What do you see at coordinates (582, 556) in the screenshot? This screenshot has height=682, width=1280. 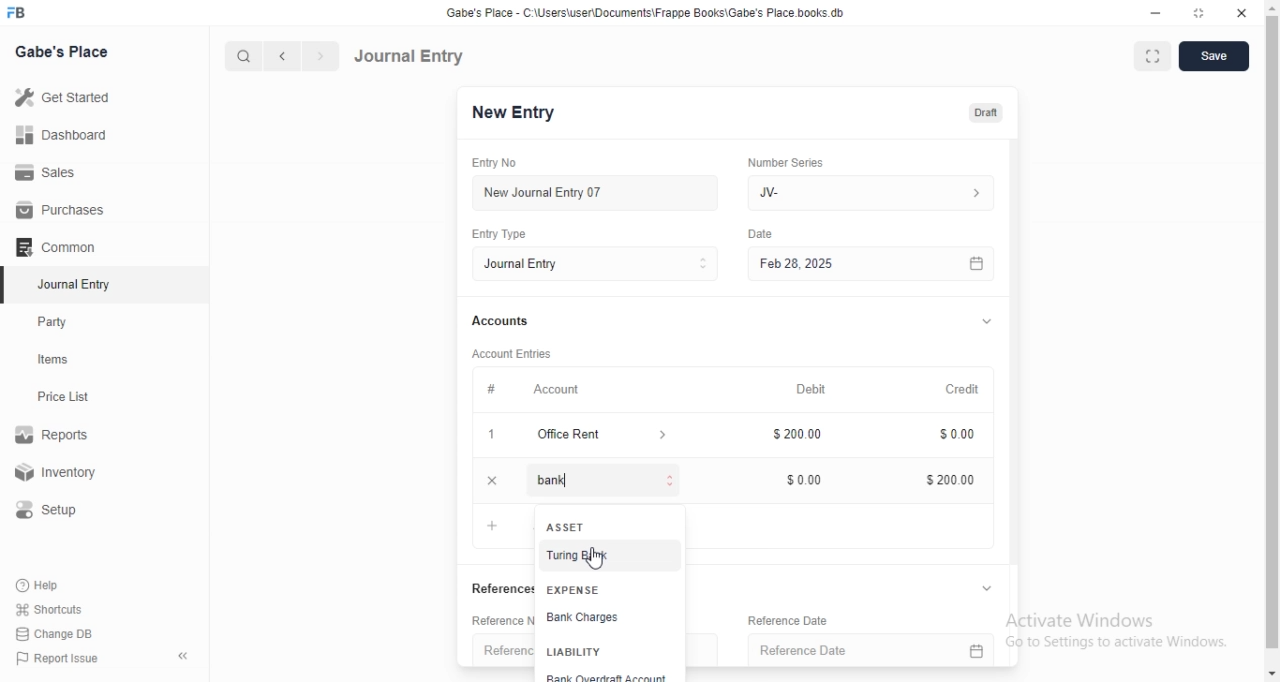 I see `Turing Bank` at bounding box center [582, 556].